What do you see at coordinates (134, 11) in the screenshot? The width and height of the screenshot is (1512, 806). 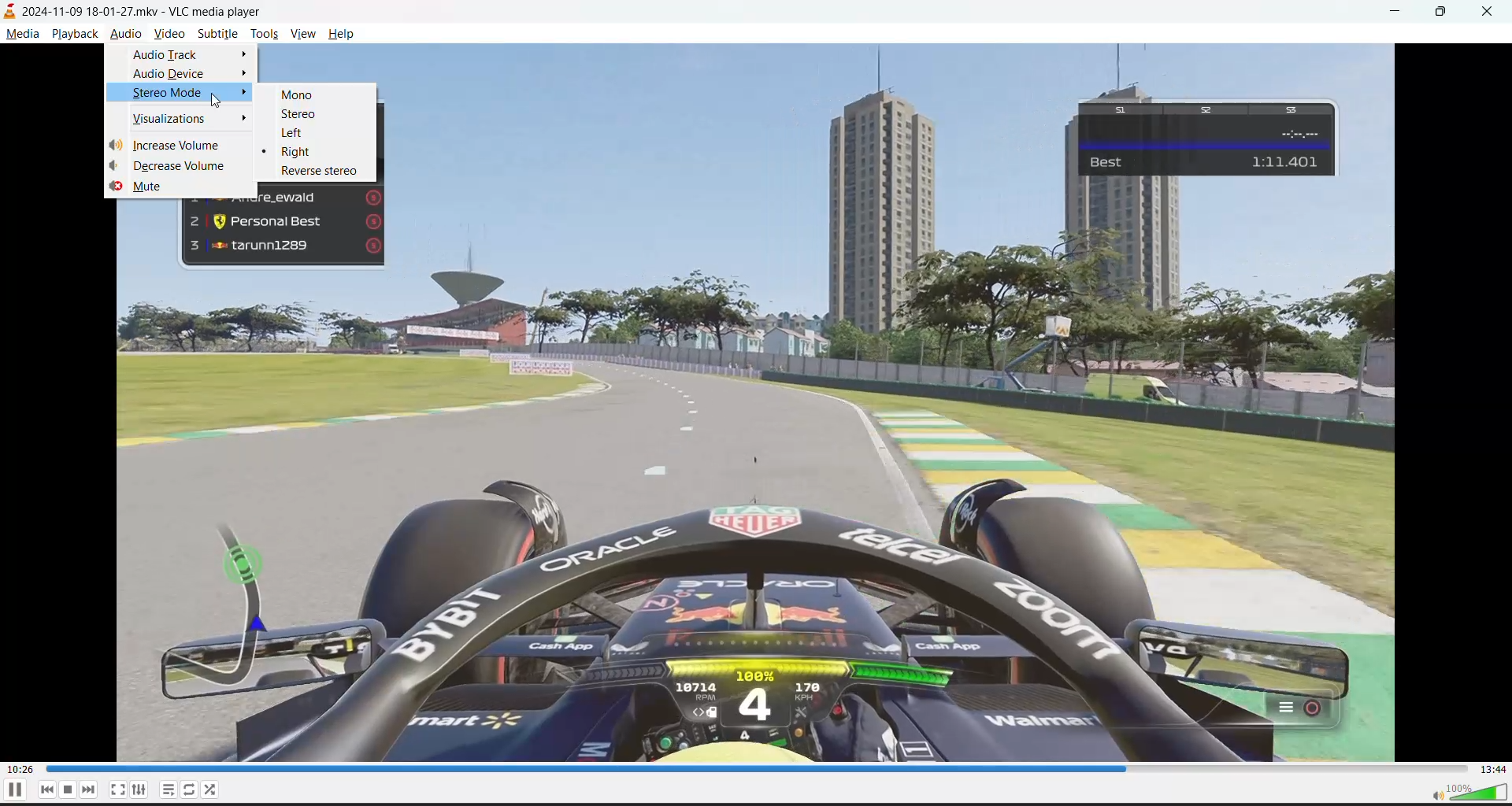 I see `2024-11-09 18-01-27.mkv - VLC media player` at bounding box center [134, 11].